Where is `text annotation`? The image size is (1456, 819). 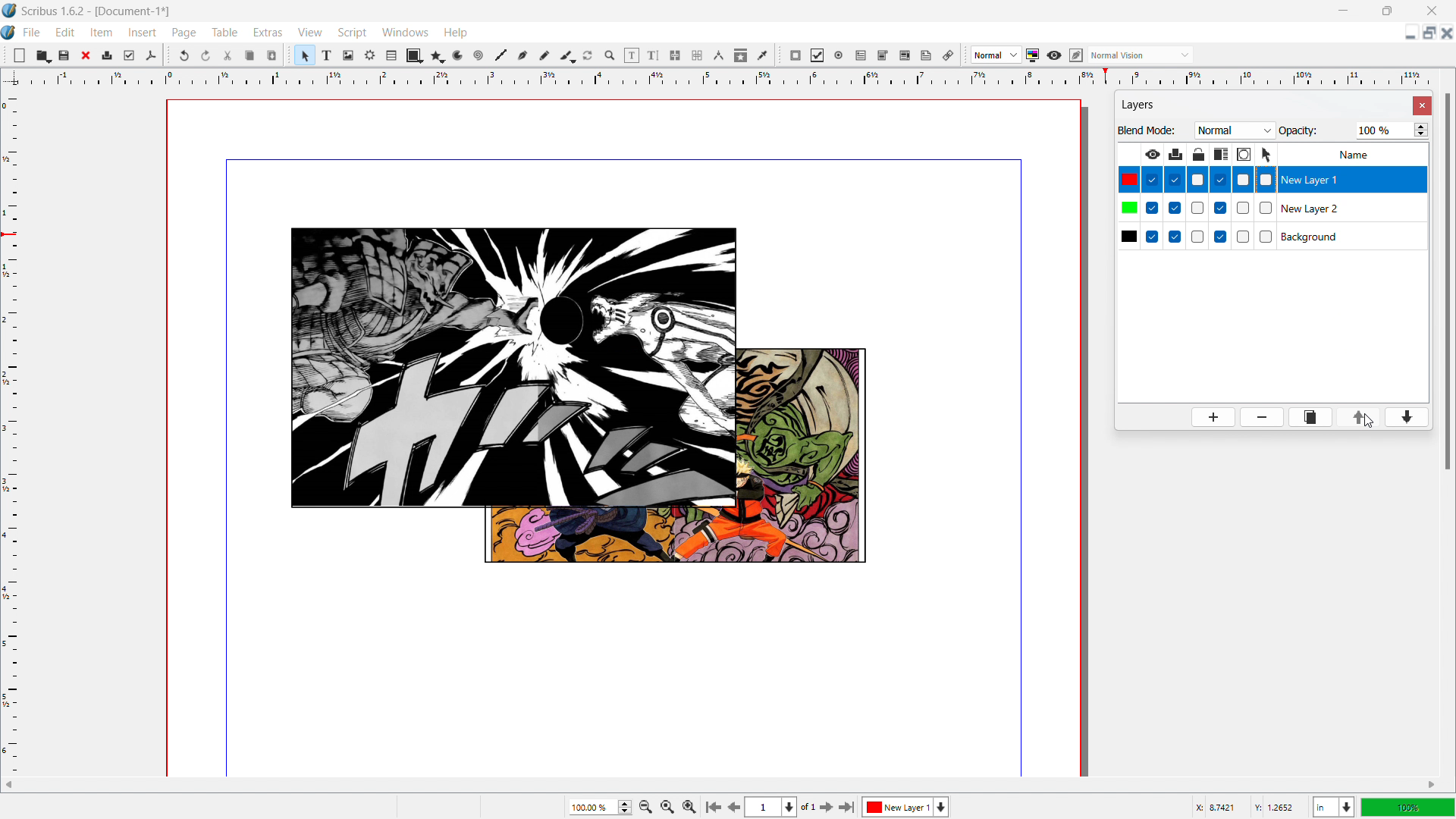 text annotation is located at coordinates (927, 55).